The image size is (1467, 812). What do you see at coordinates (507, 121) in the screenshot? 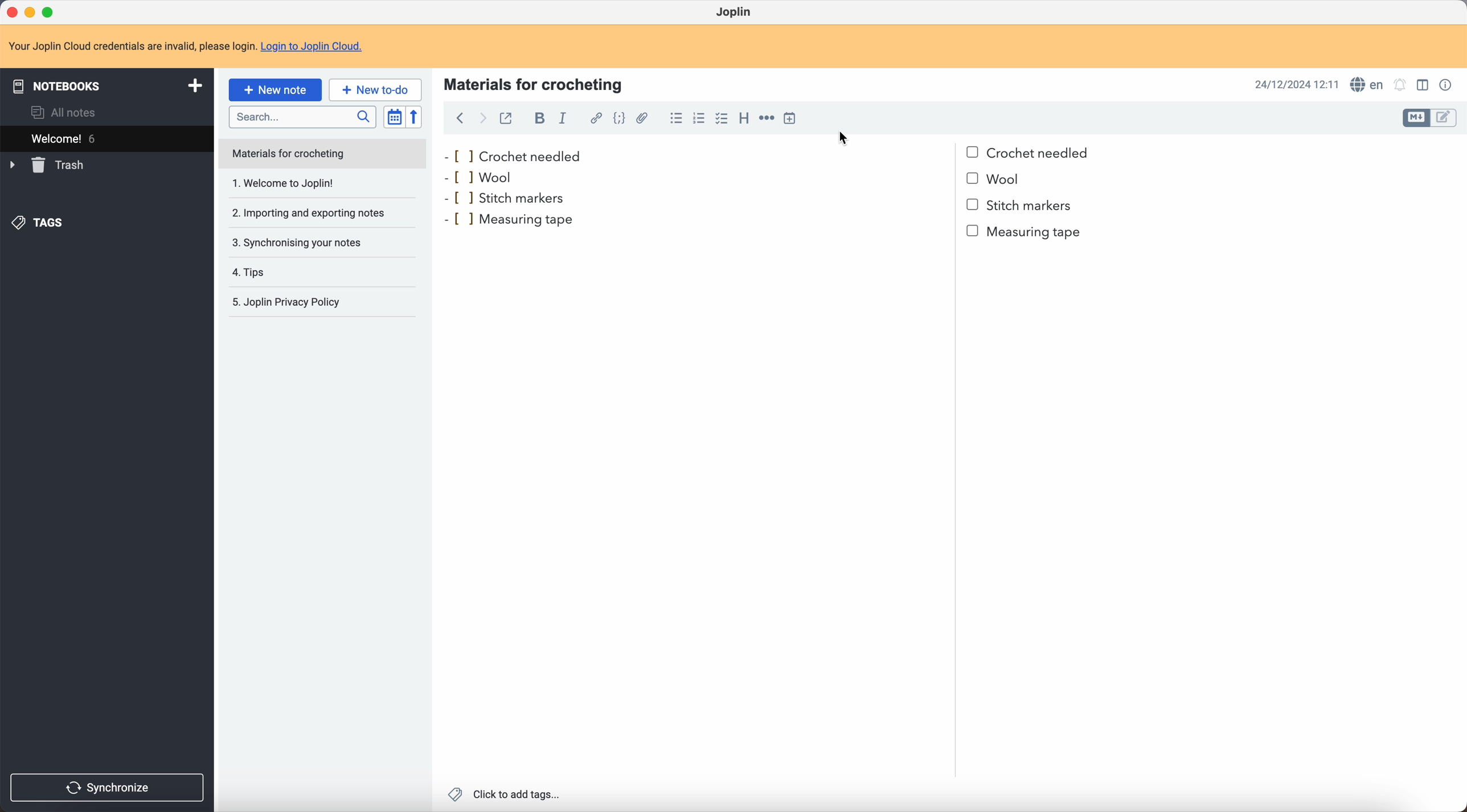
I see `toggle external editing` at bounding box center [507, 121].